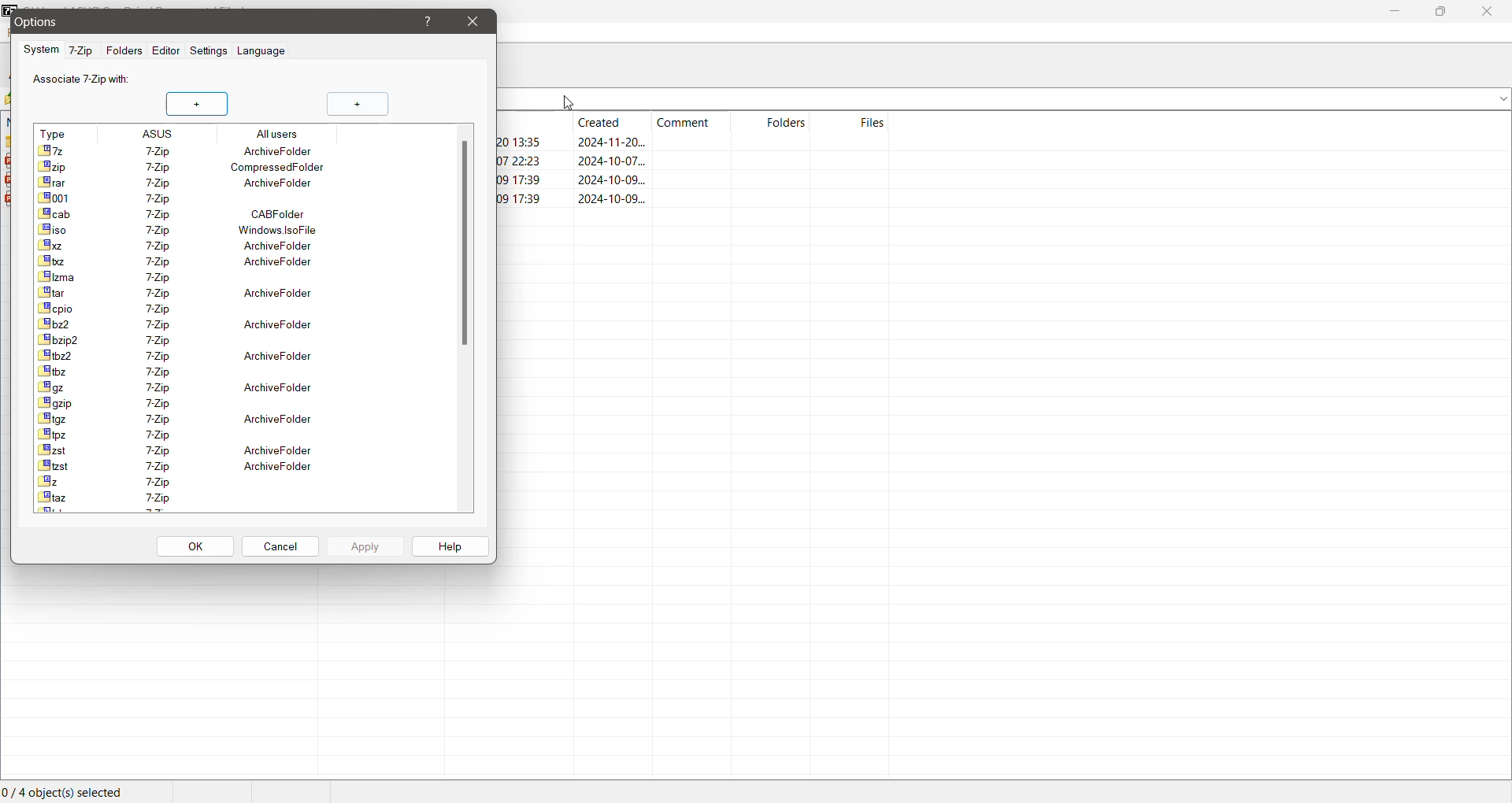 The width and height of the screenshot is (1512, 803). What do you see at coordinates (187, 308) in the screenshot?
I see `Available system details` at bounding box center [187, 308].